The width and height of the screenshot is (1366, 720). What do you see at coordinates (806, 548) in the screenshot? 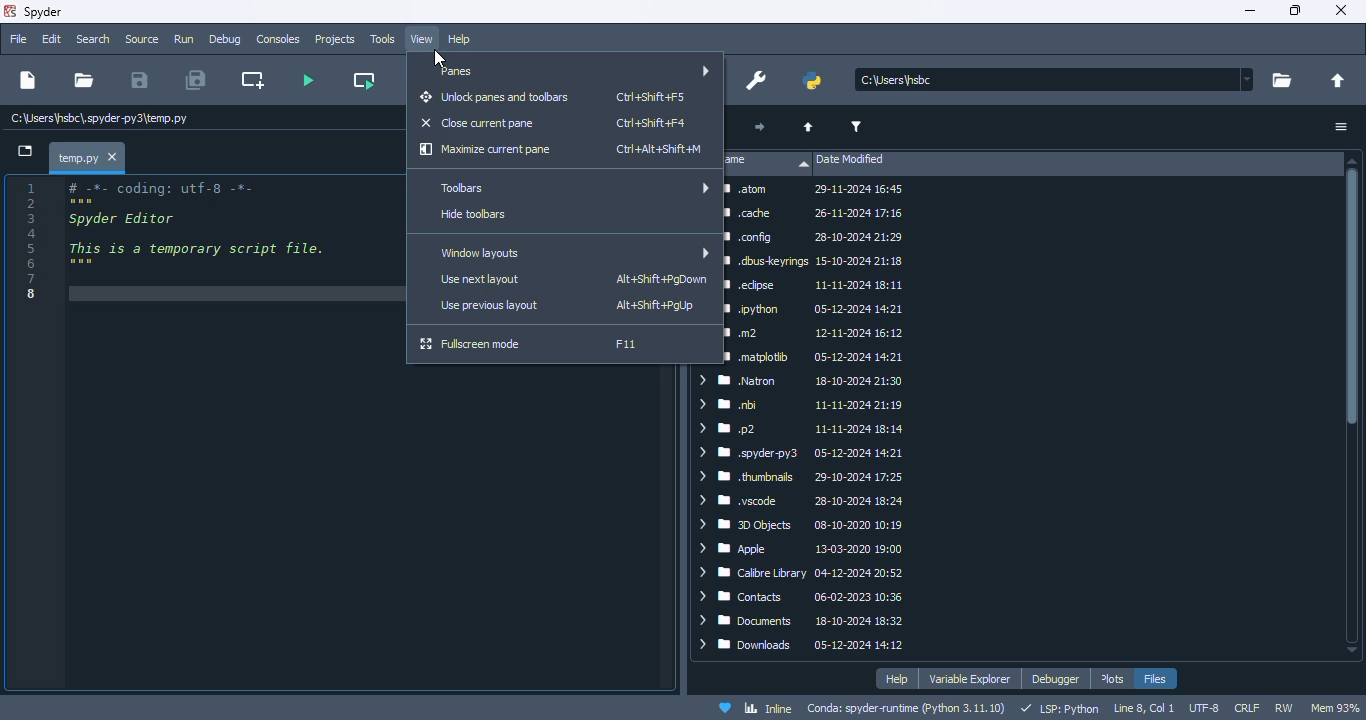
I see `Apple` at bounding box center [806, 548].